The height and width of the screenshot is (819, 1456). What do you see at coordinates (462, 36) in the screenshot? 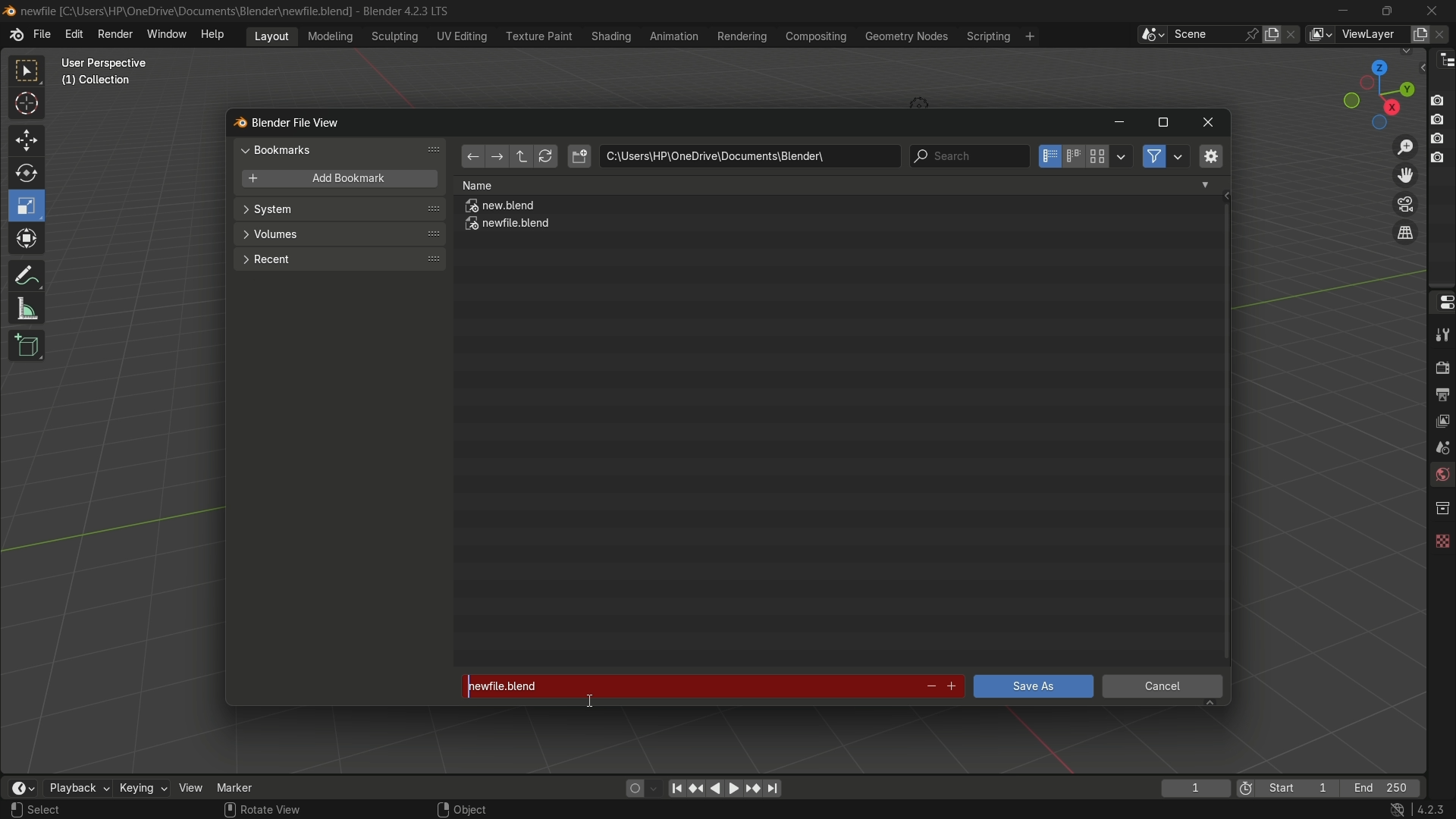
I see `uv editing menu` at bounding box center [462, 36].